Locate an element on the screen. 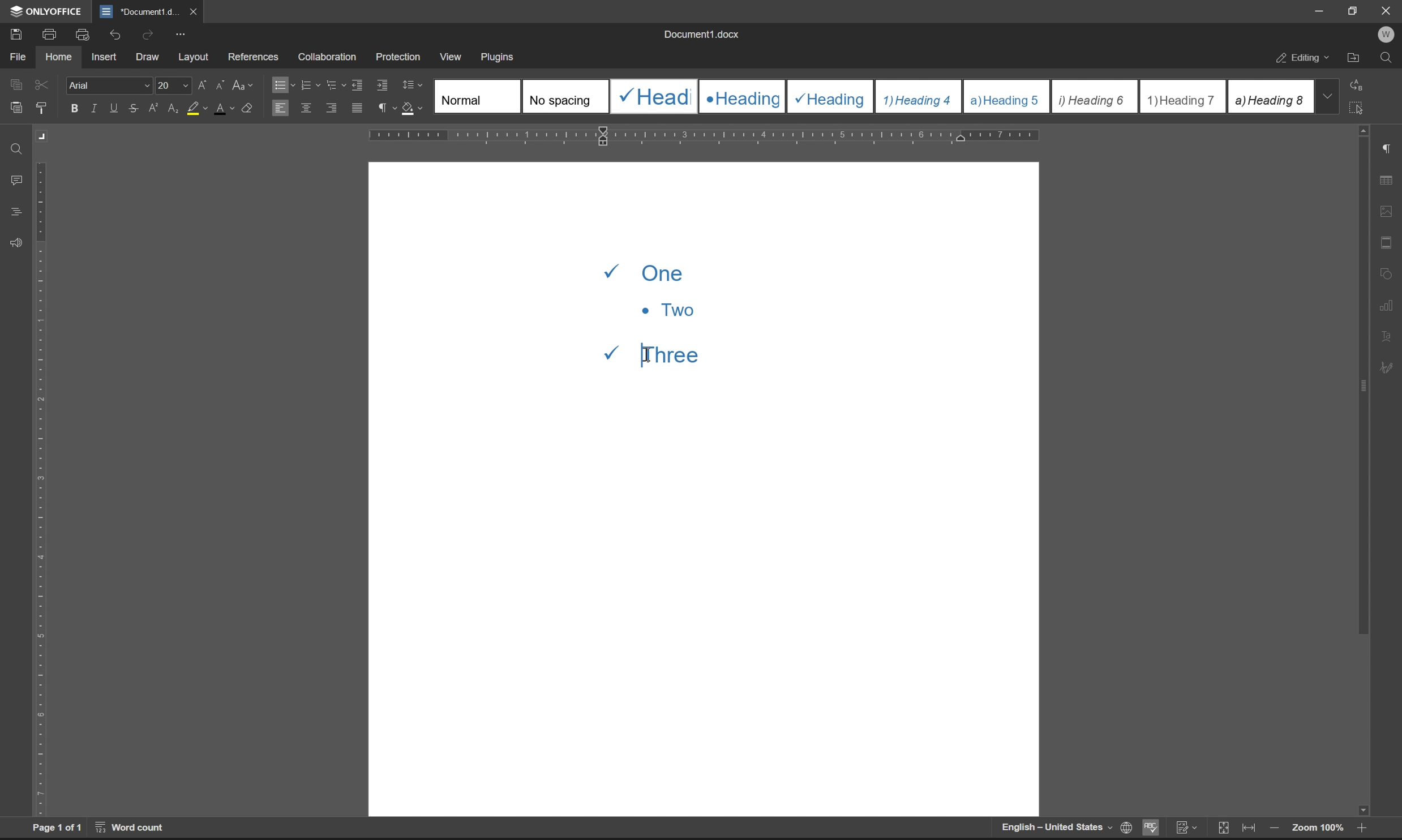  ruler is located at coordinates (41, 488).